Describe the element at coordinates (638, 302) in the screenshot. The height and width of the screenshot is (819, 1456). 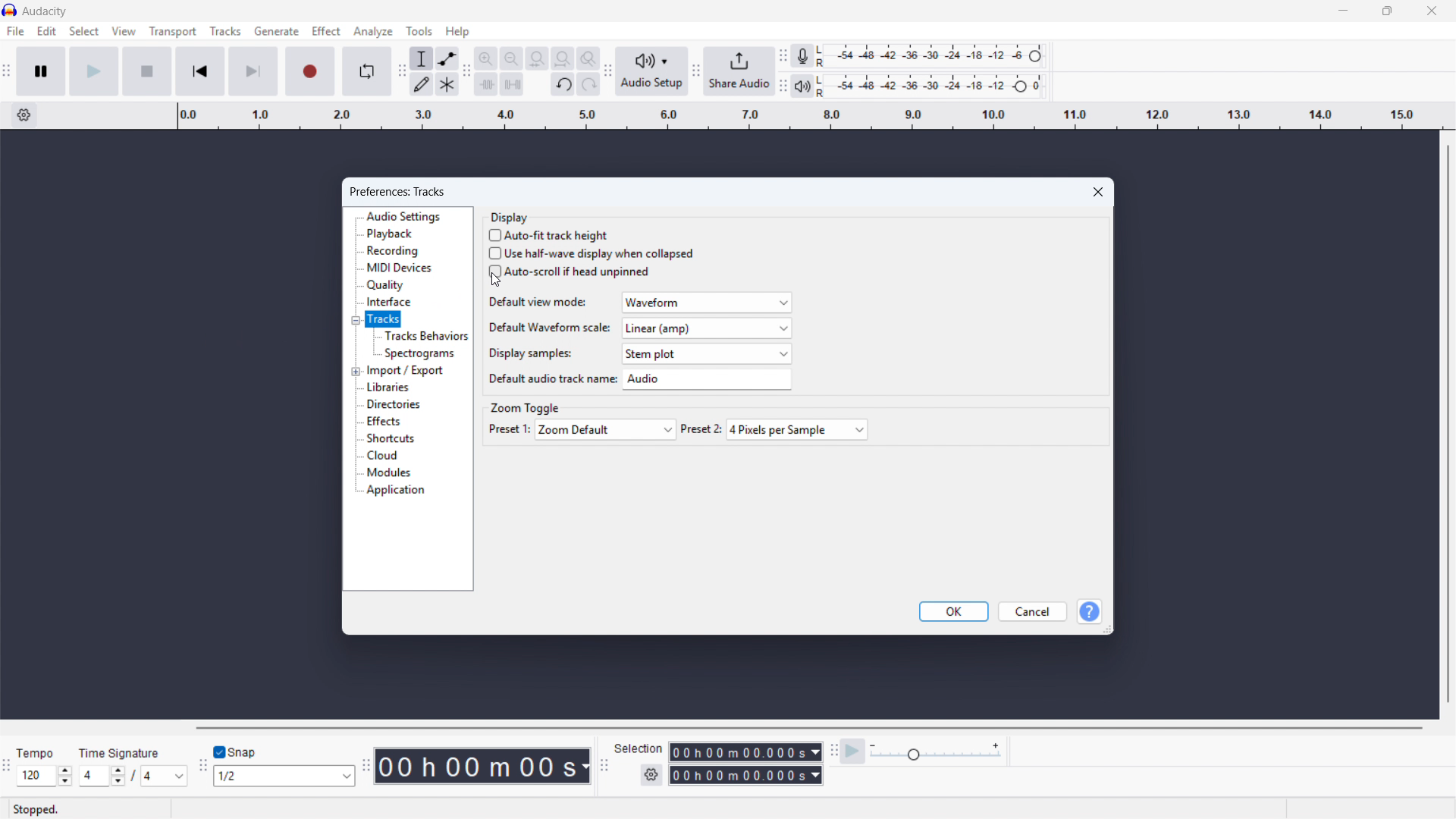
I see `default view mode` at that location.